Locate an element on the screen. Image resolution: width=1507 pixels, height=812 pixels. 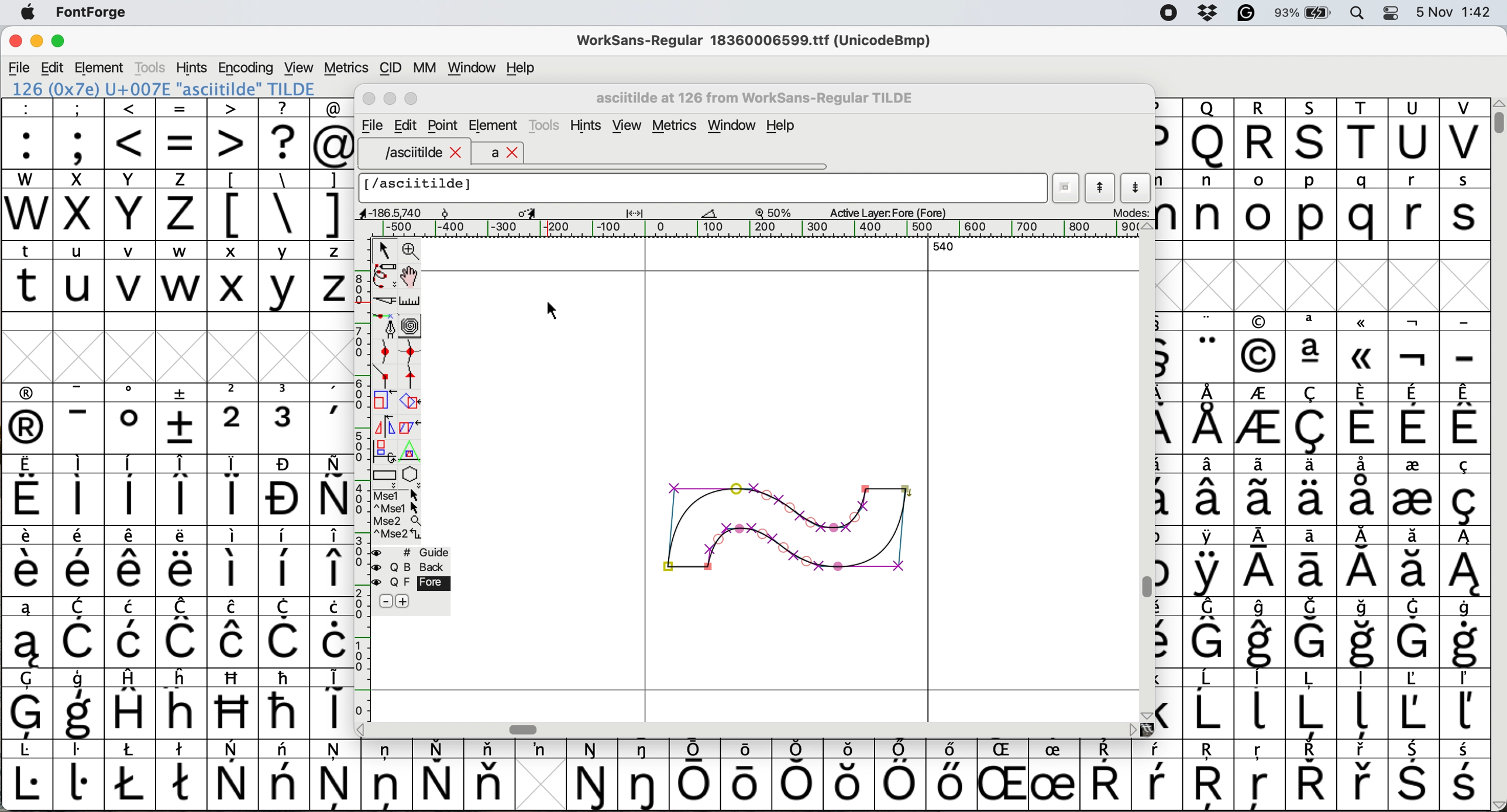
symbol is located at coordinates (1208, 562).